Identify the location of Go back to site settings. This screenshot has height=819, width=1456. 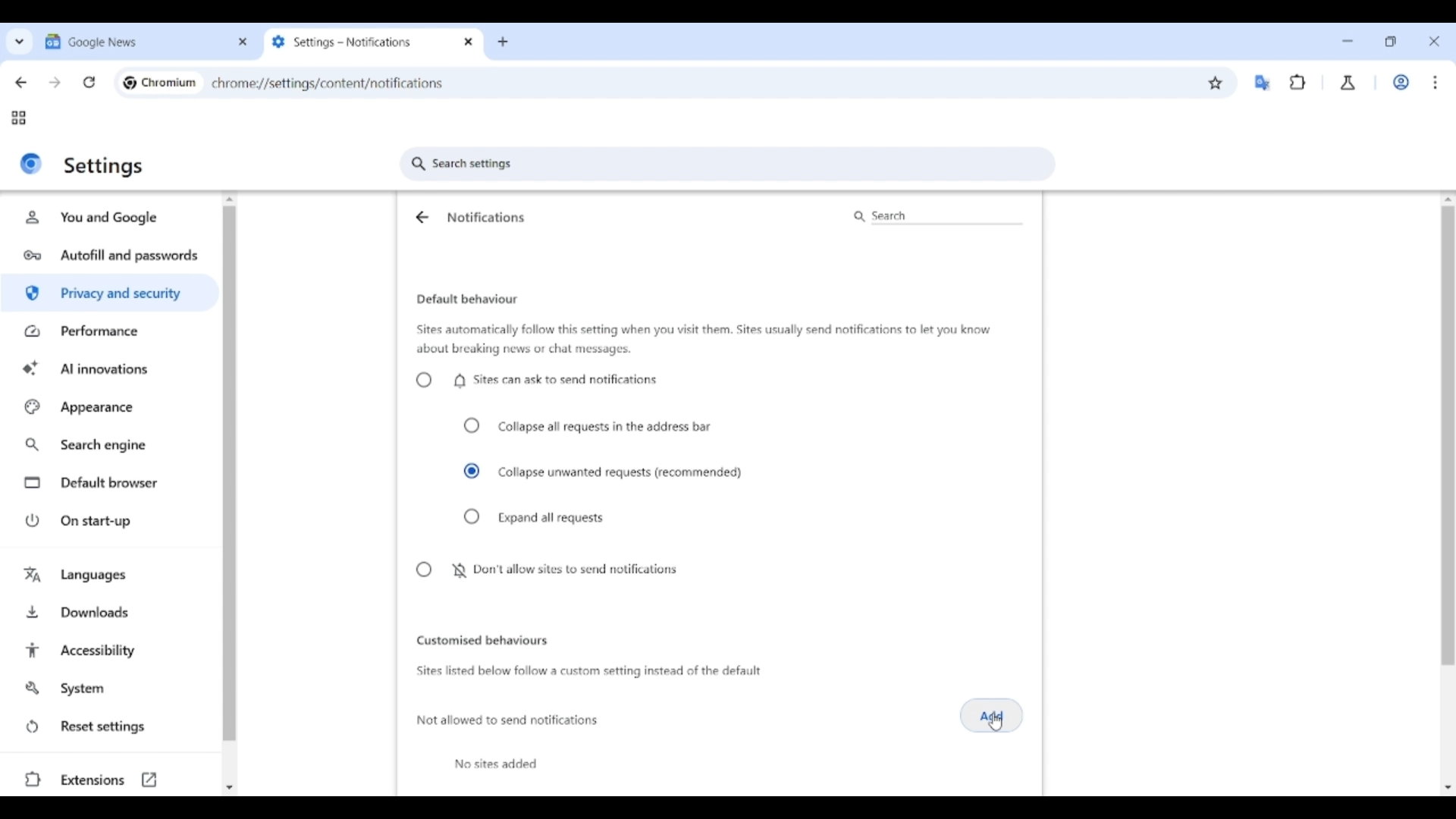
(421, 217).